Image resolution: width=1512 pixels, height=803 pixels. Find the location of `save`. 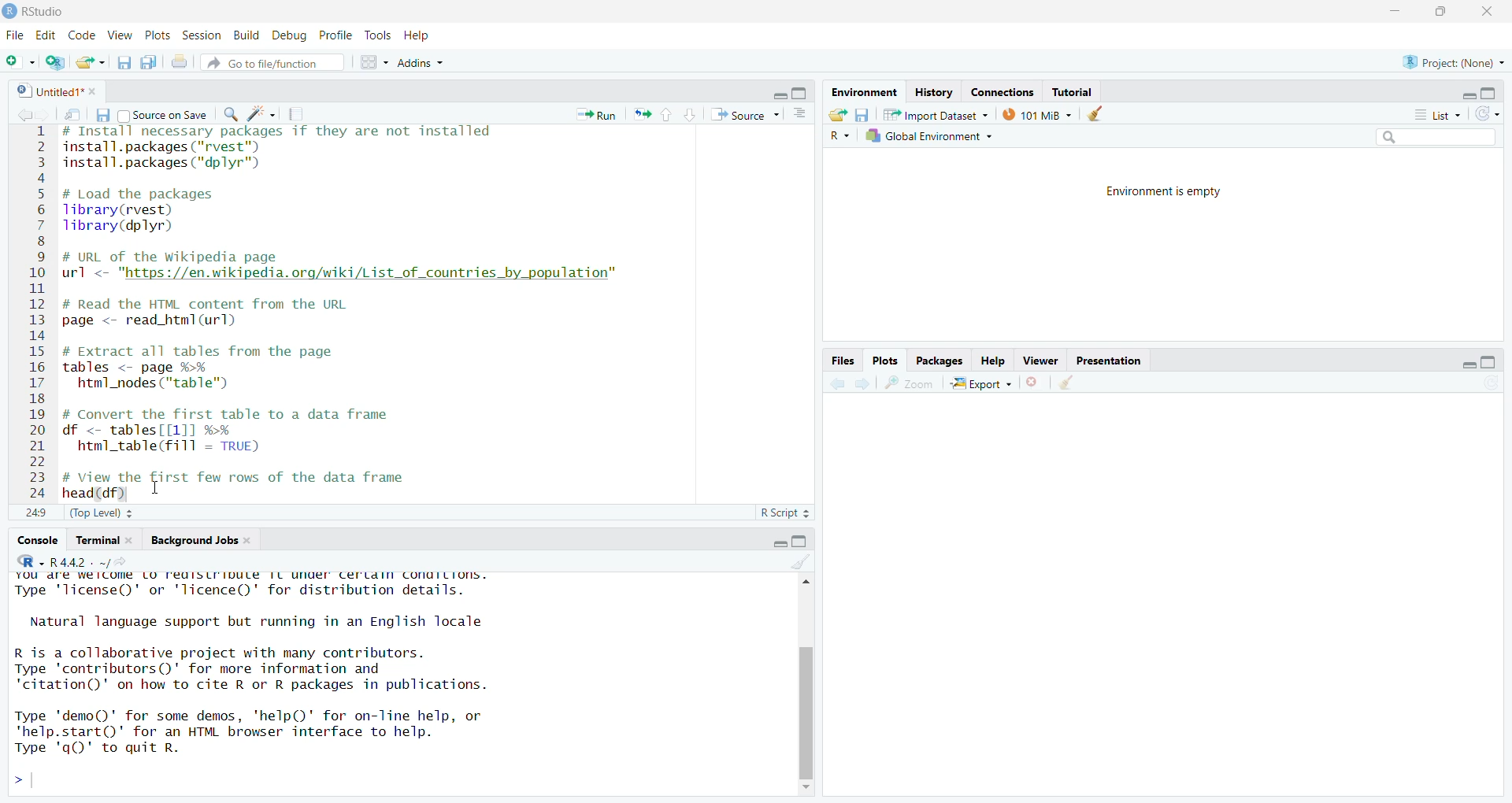

save is located at coordinates (862, 115).